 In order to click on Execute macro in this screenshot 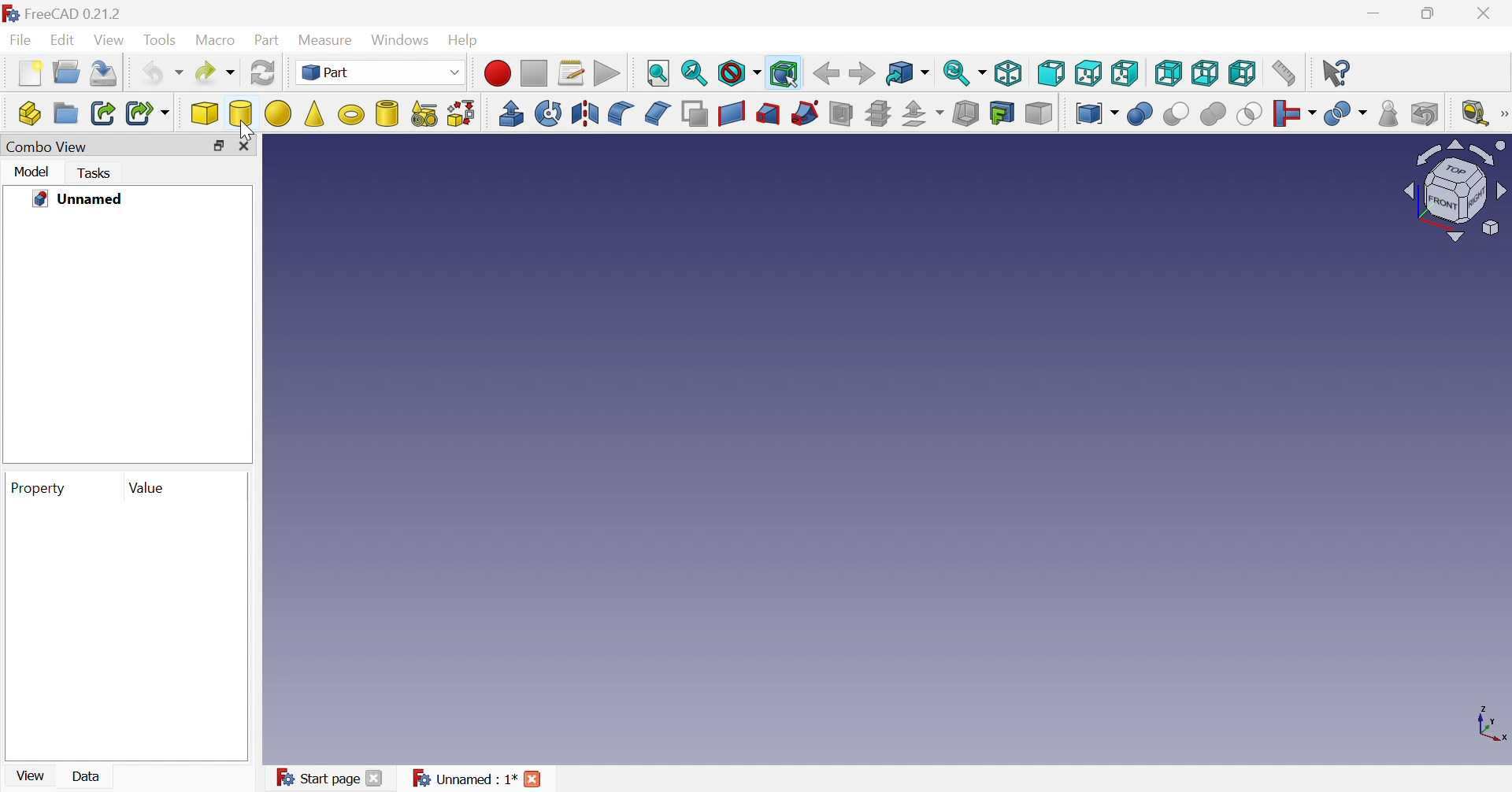, I will do `click(609, 74)`.